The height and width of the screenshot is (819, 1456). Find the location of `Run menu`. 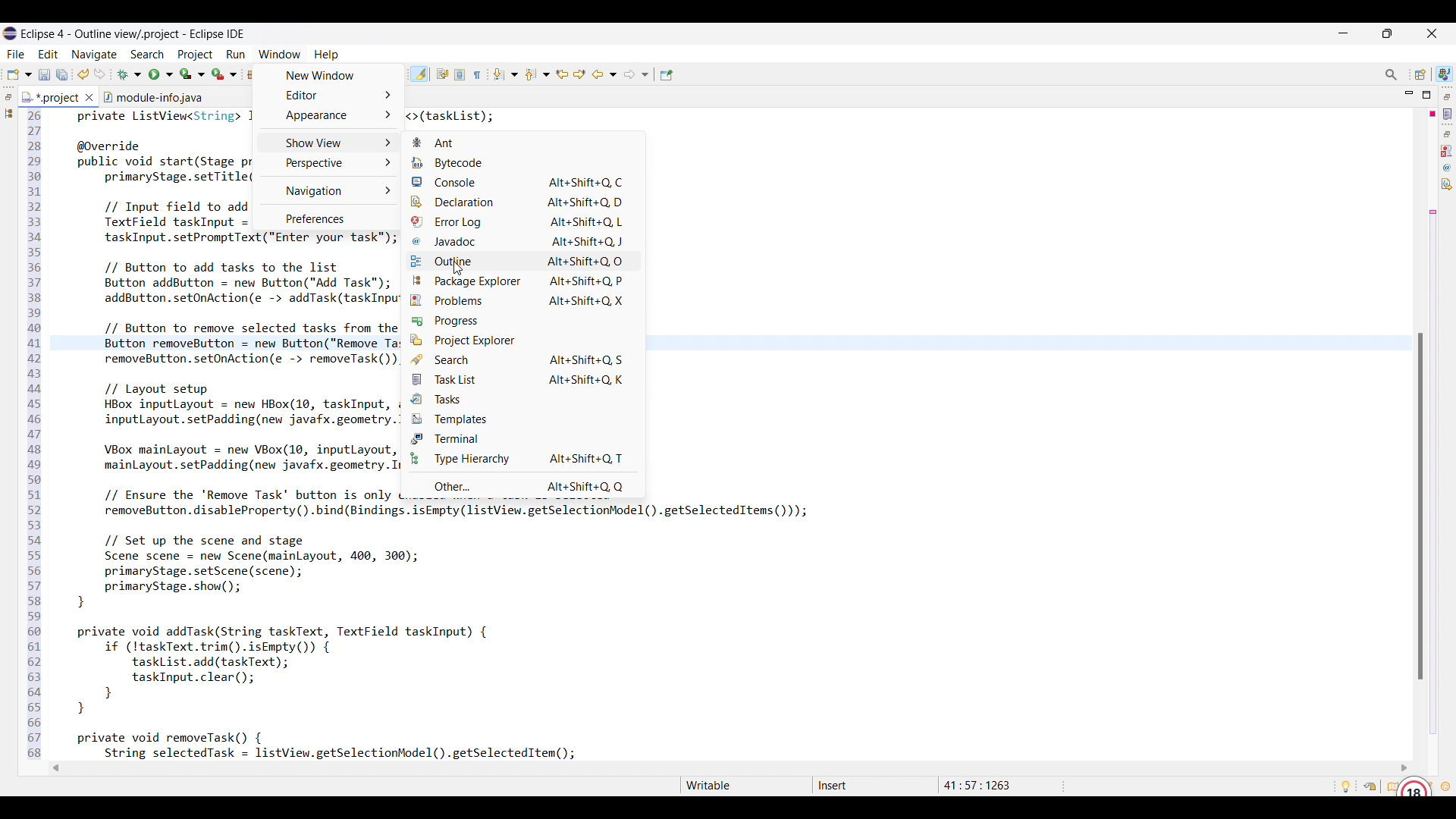

Run menu is located at coordinates (236, 55).